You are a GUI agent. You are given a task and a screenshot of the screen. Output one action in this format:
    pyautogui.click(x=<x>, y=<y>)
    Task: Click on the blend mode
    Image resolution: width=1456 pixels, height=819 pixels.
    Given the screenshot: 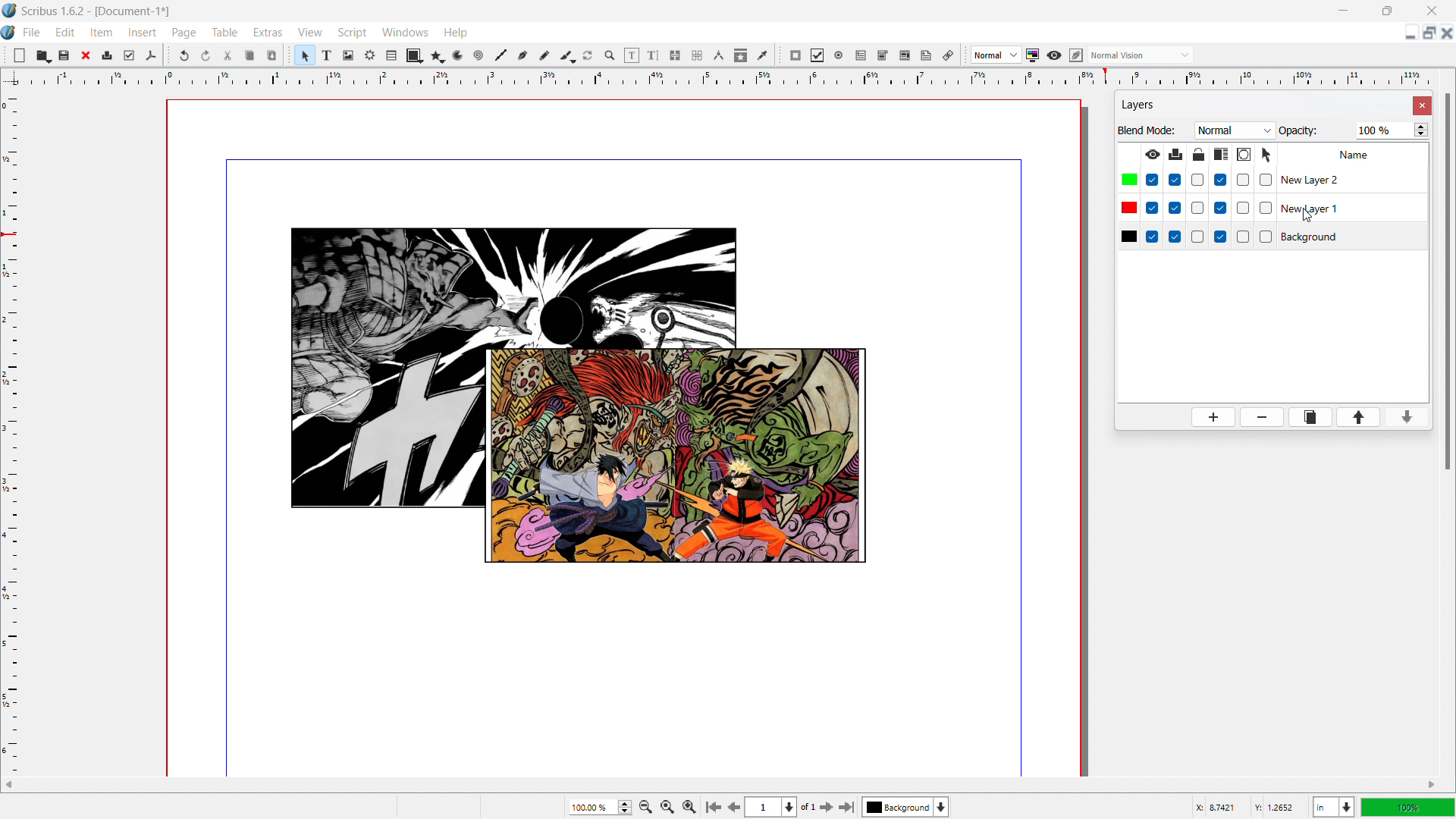 What is the action you would take?
    pyautogui.click(x=1235, y=130)
    